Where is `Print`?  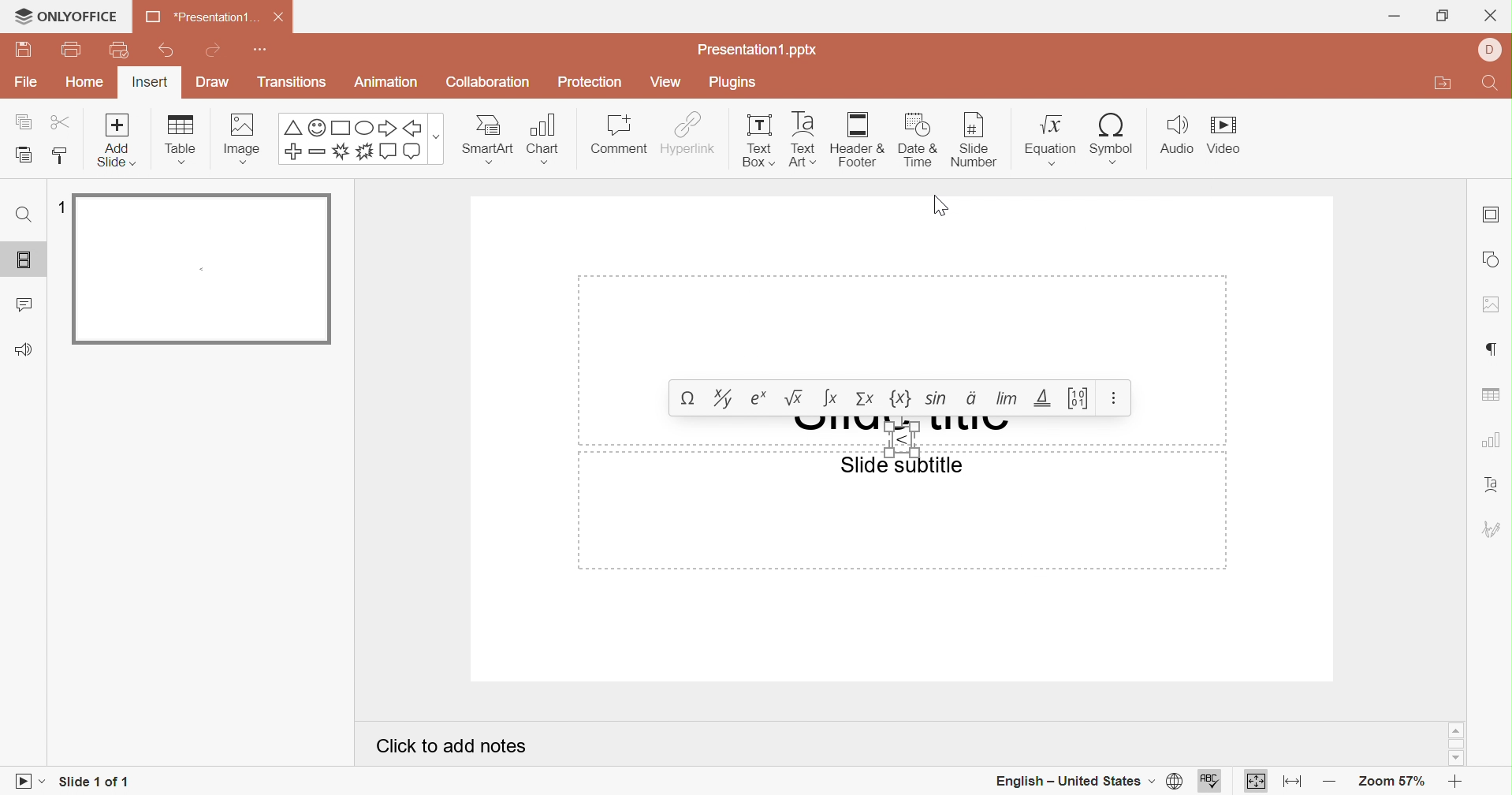 Print is located at coordinates (73, 52).